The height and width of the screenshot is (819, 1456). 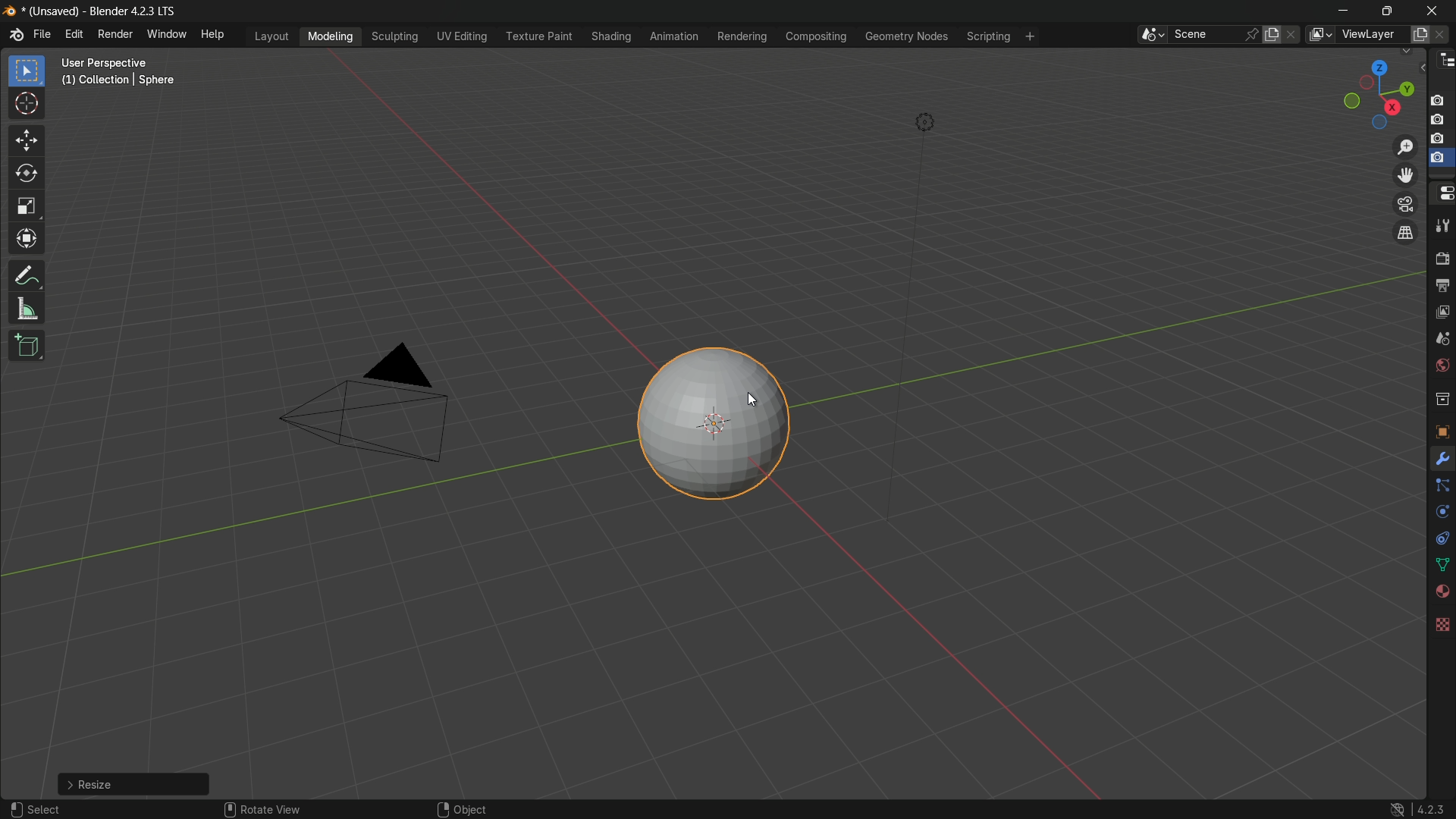 I want to click on world, so click(x=1442, y=367).